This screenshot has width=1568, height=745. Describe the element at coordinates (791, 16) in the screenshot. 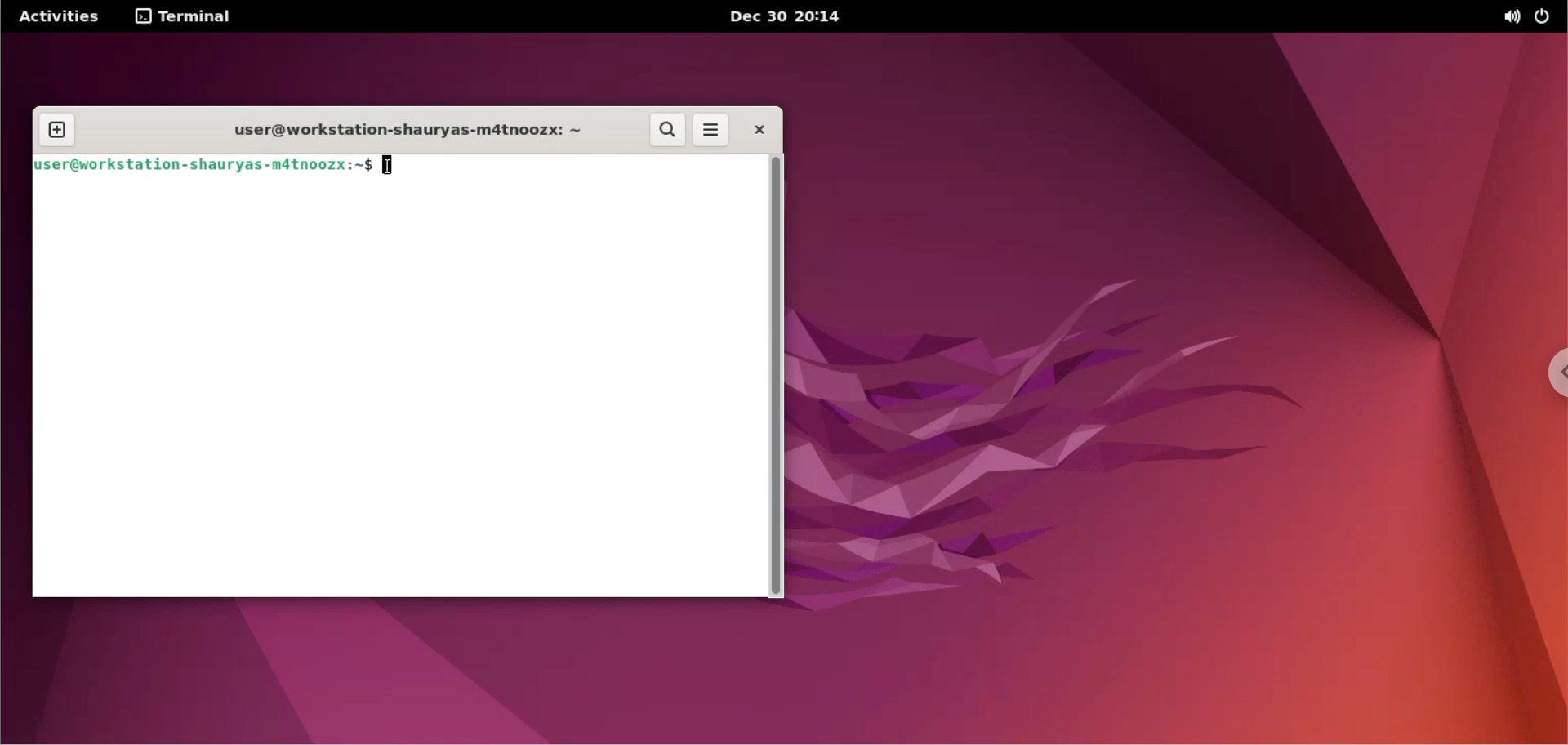

I see `dec 30 2014` at that location.